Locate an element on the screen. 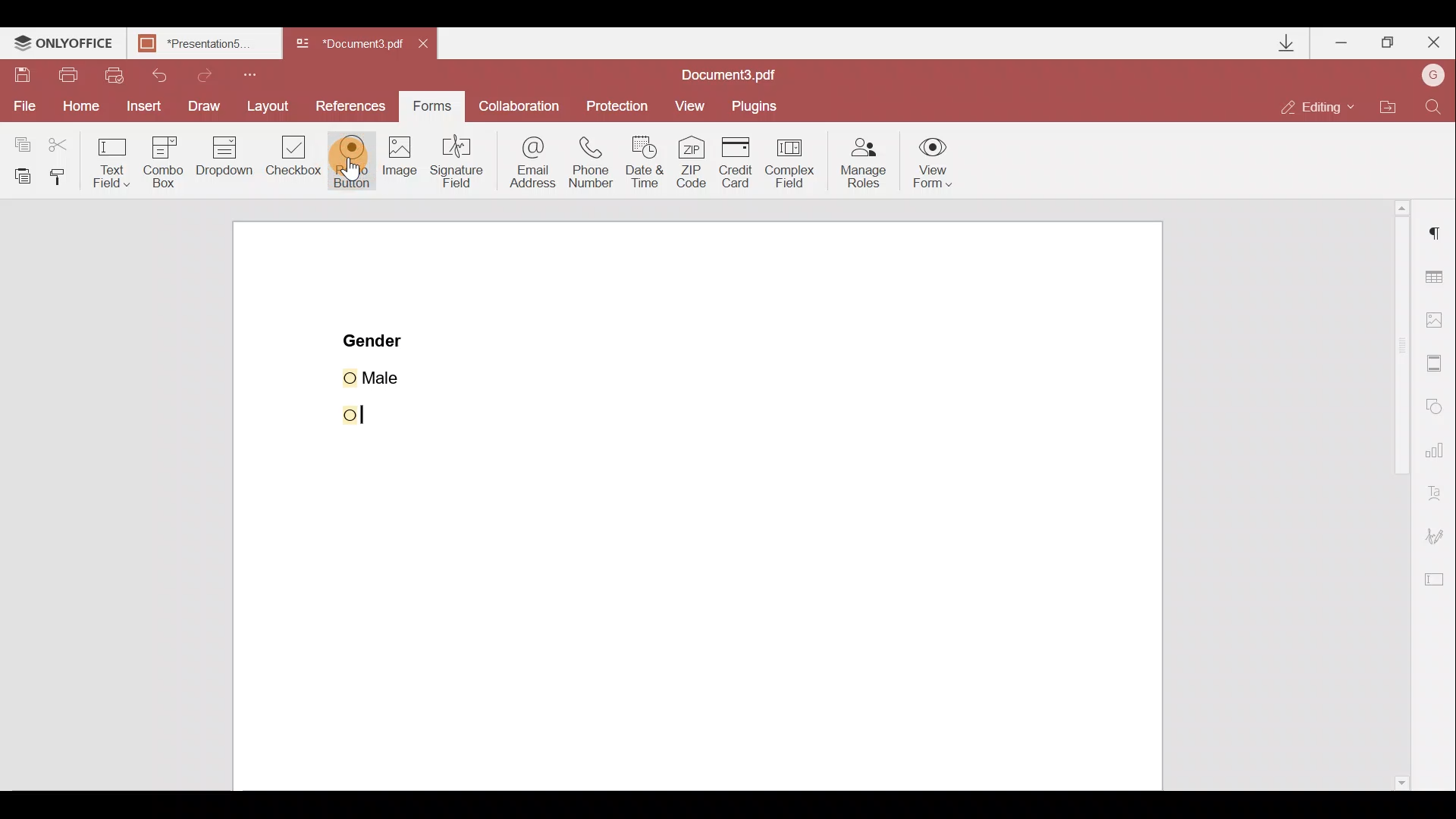 This screenshot has width=1456, height=819. Minimize is located at coordinates (1341, 42).